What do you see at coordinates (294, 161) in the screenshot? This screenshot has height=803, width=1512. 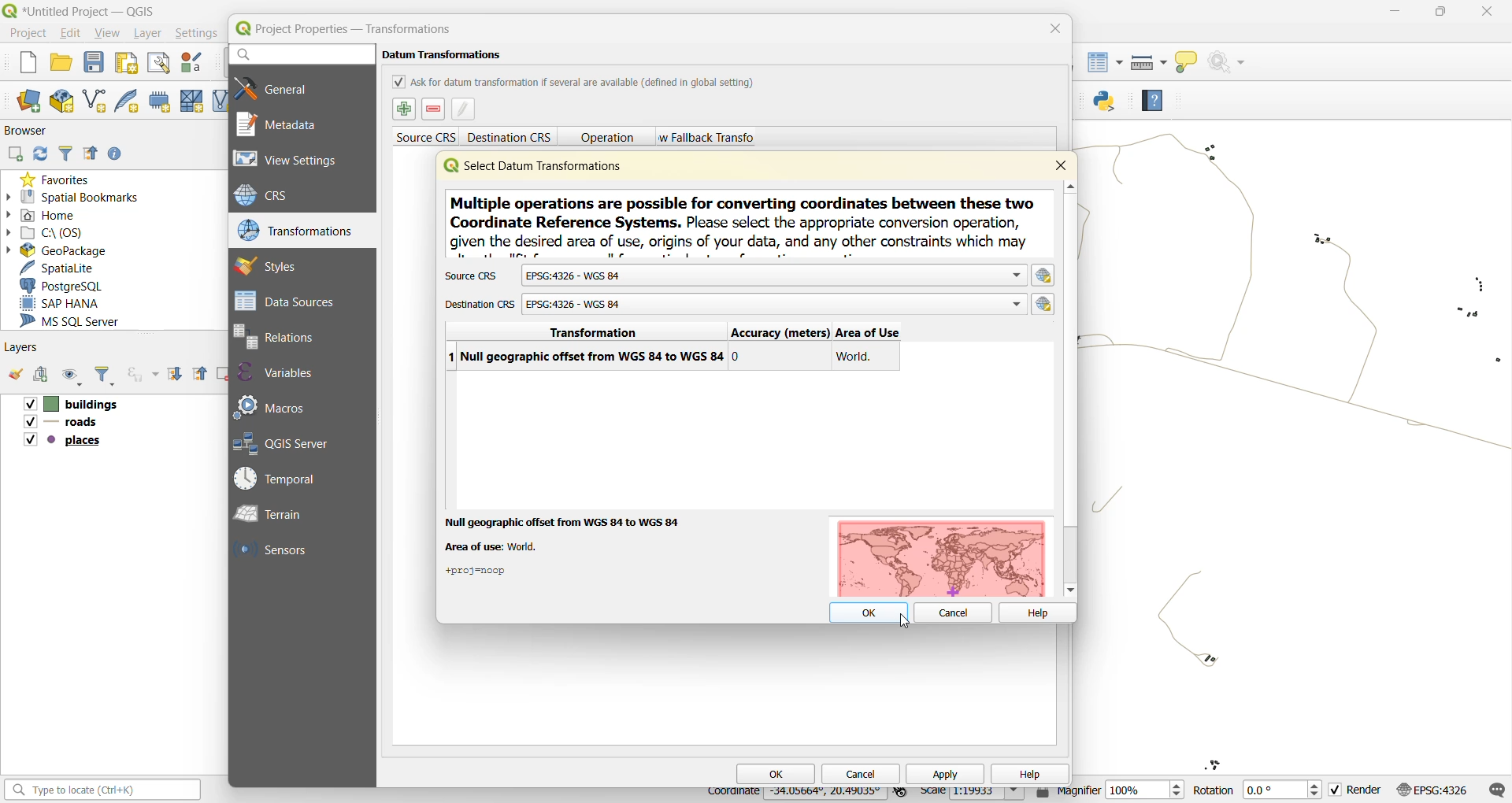 I see `view settings` at bounding box center [294, 161].